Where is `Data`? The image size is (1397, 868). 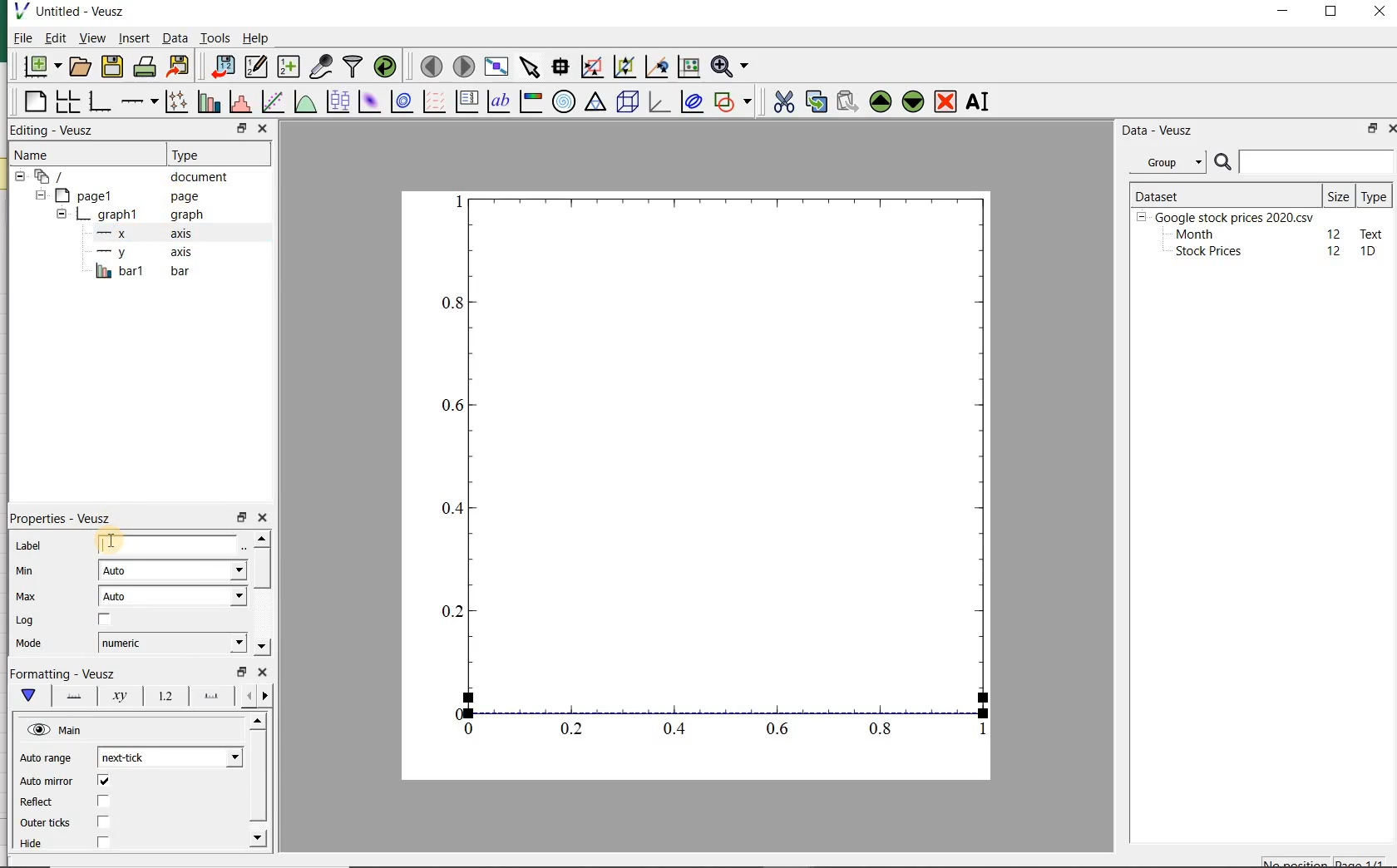
Data is located at coordinates (175, 40).